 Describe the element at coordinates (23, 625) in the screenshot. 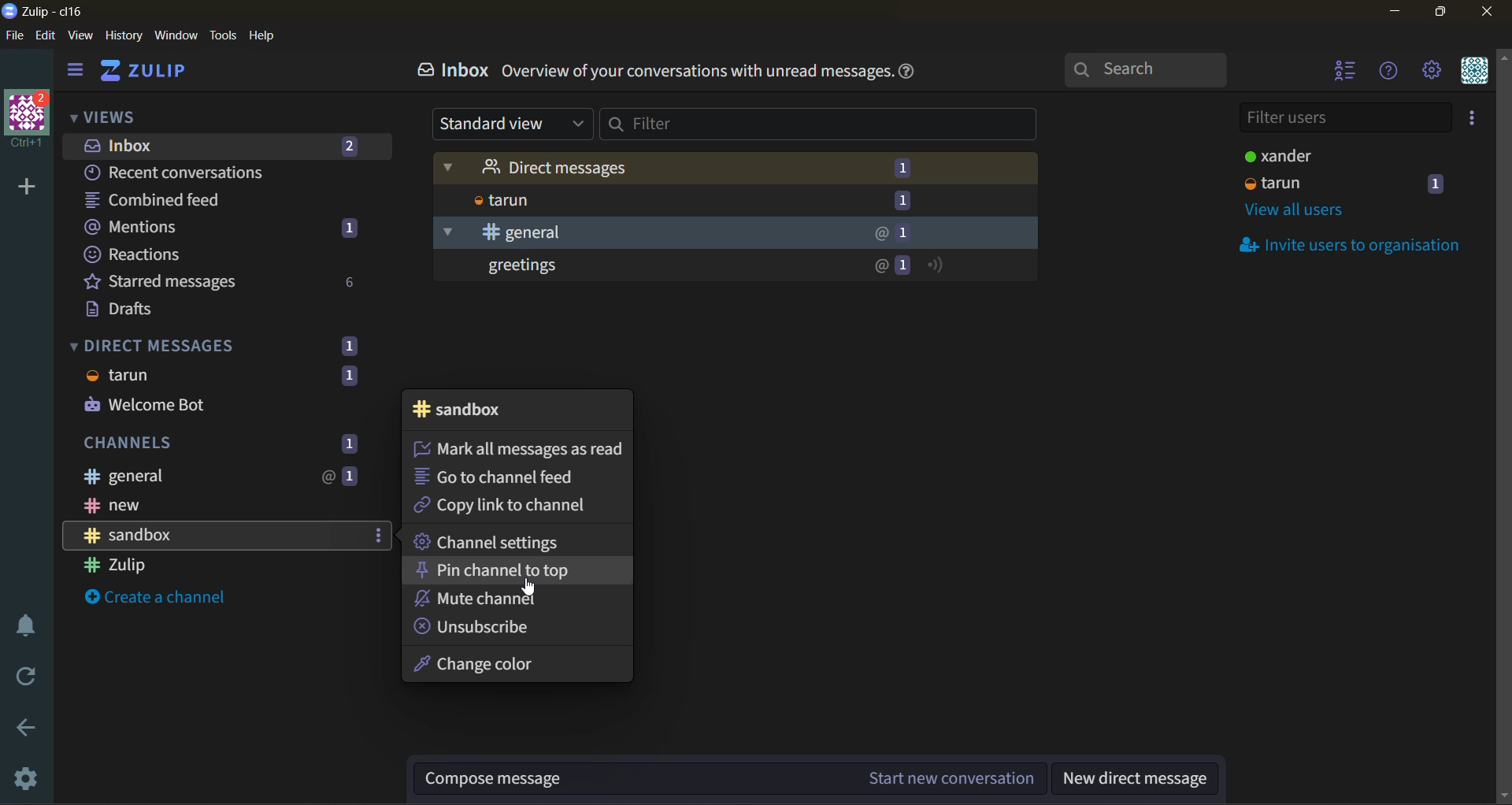

I see `enable do not disturb` at that location.